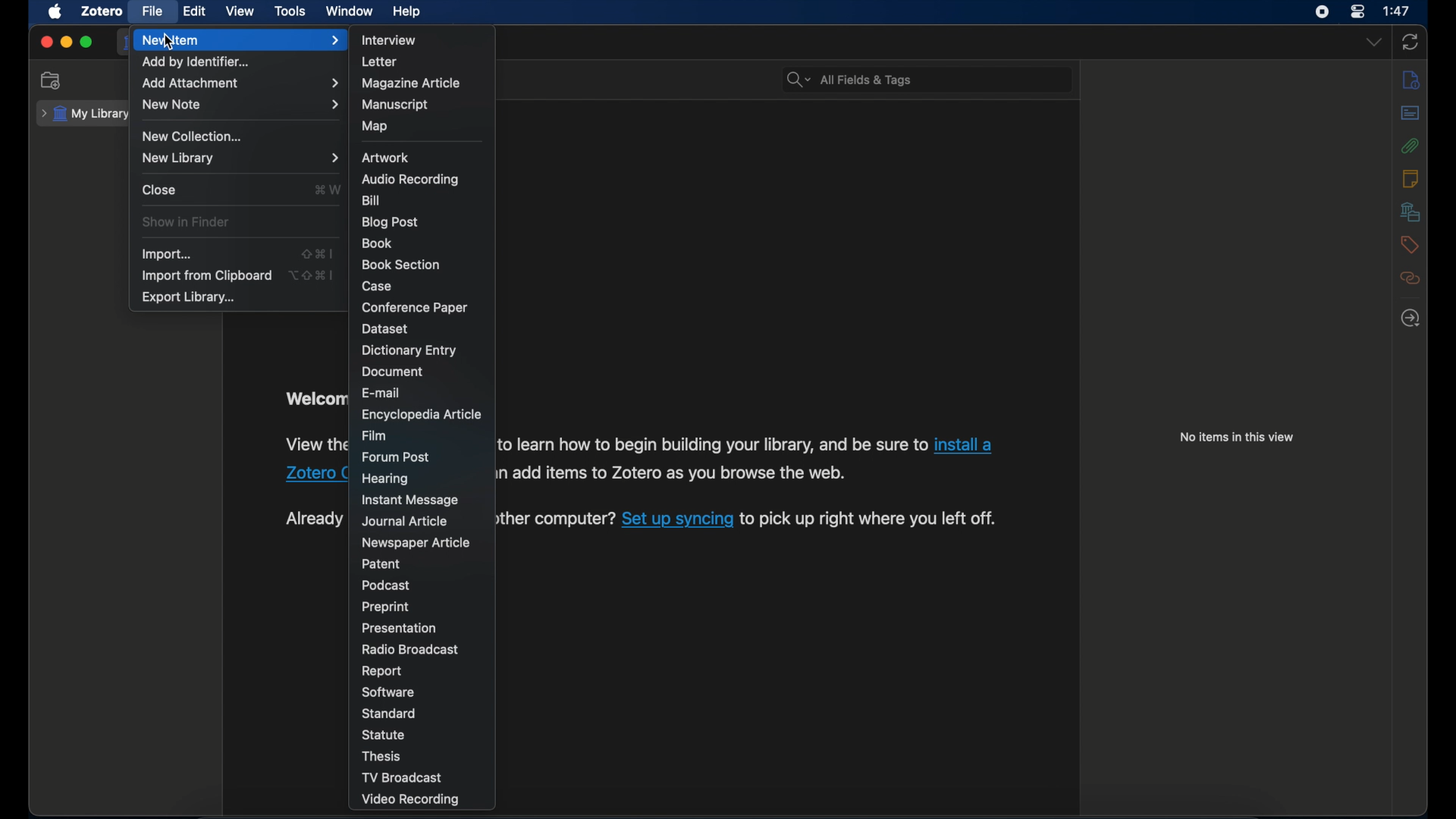 The width and height of the screenshot is (1456, 819). I want to click on my library, so click(83, 114).